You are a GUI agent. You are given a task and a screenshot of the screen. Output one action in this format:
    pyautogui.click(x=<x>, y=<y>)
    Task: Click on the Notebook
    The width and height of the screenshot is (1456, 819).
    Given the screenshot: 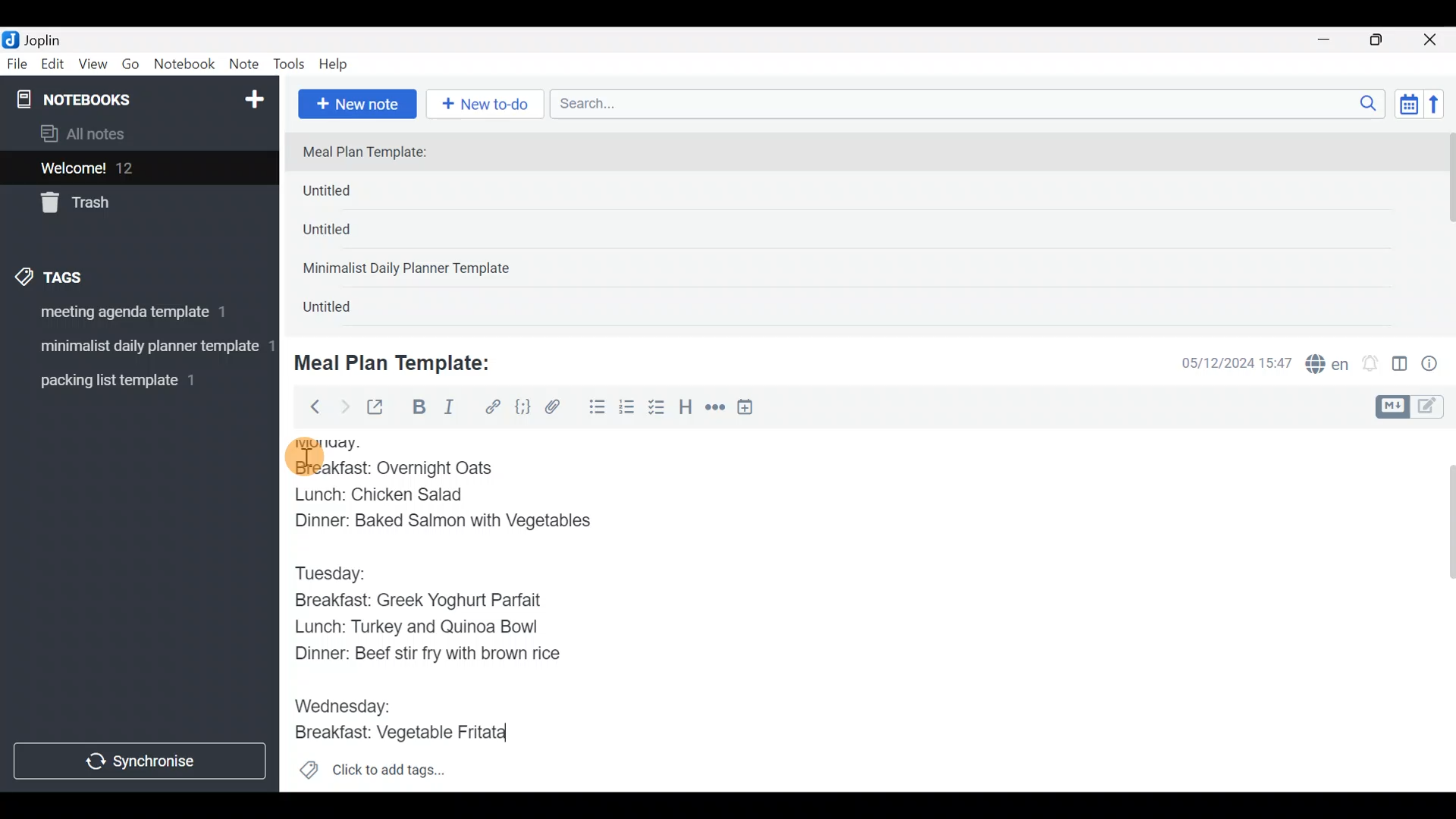 What is the action you would take?
    pyautogui.click(x=185, y=64)
    